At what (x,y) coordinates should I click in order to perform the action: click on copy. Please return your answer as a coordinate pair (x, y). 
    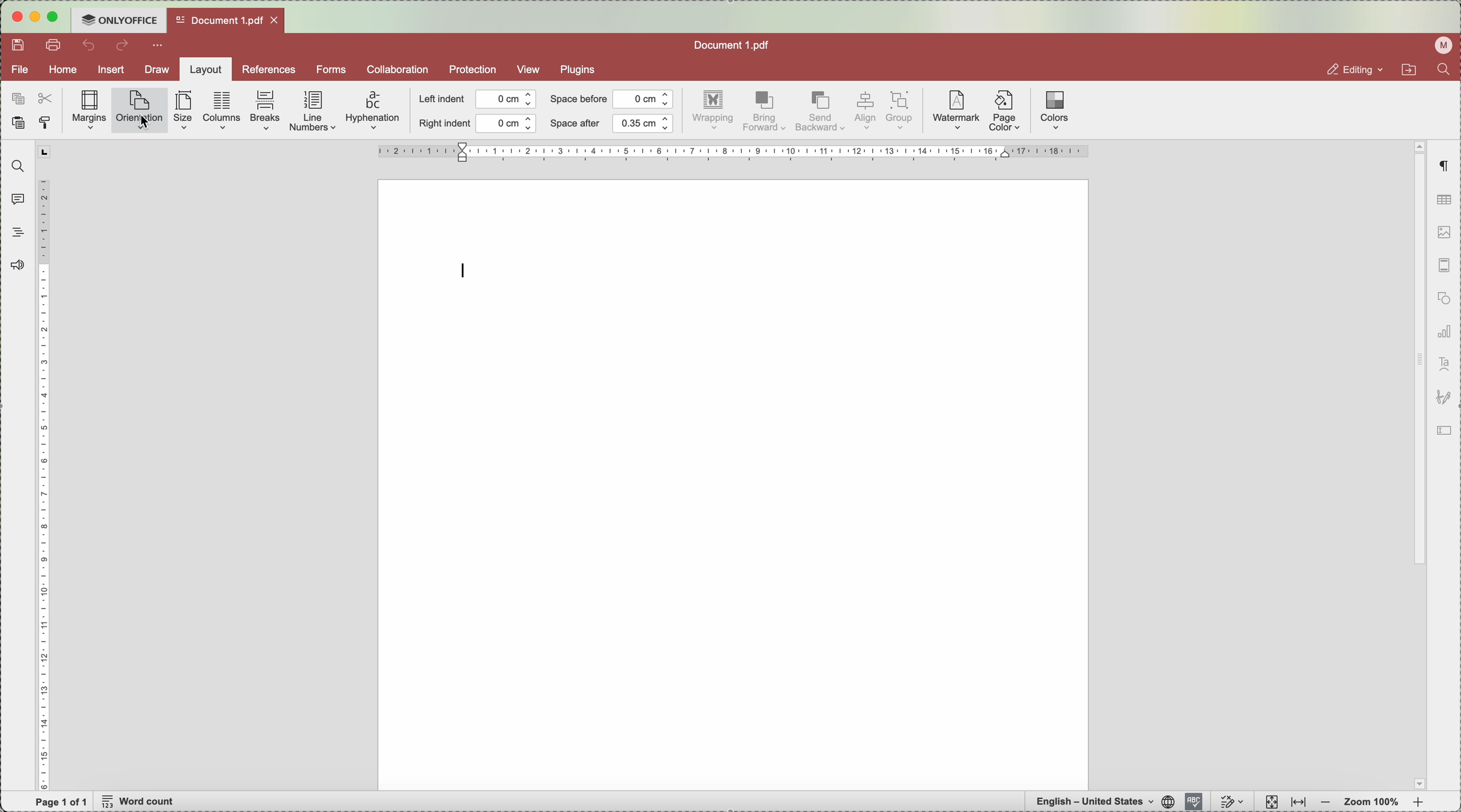
    Looking at the image, I should click on (15, 96).